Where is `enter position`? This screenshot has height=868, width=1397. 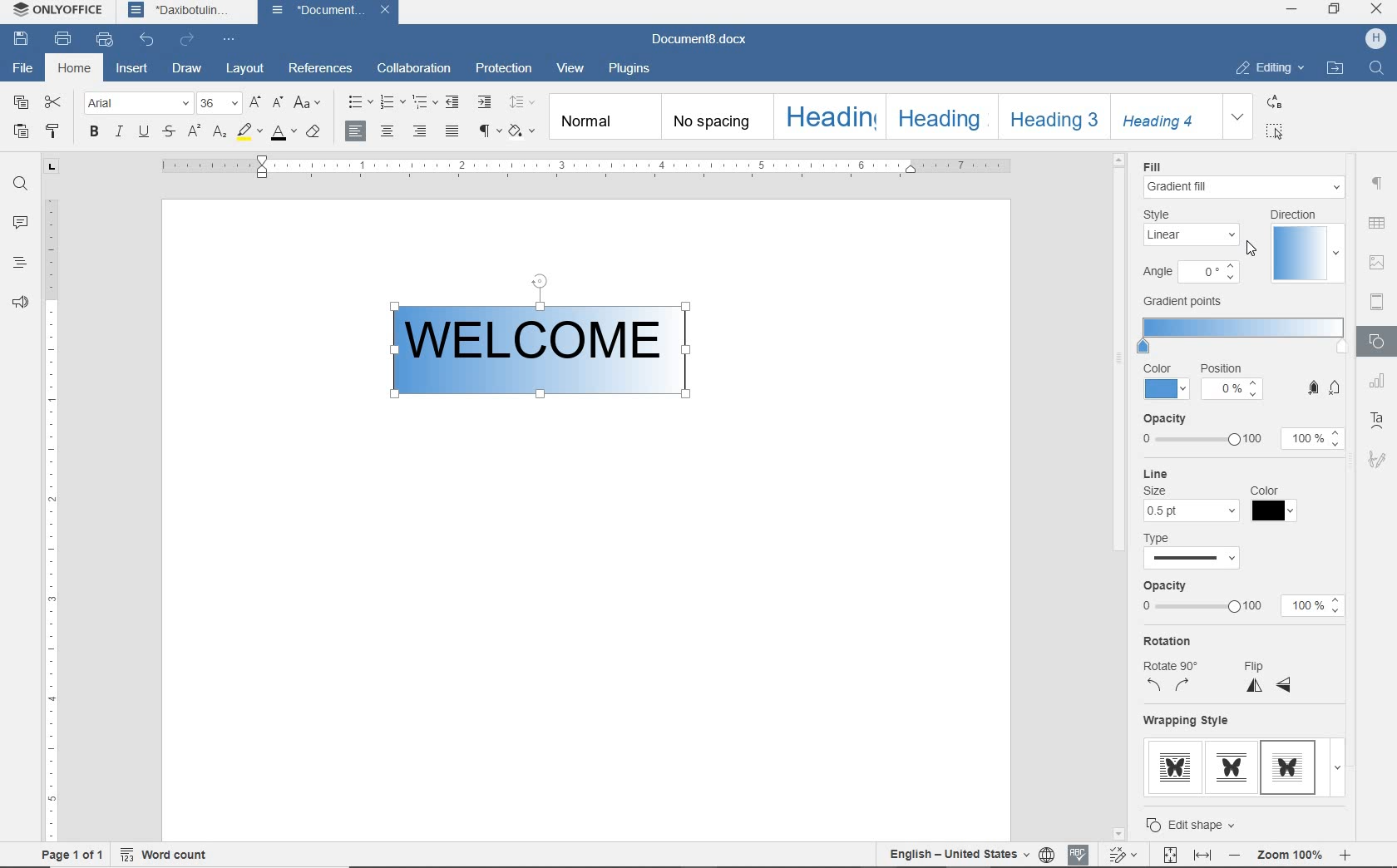
enter position is located at coordinates (1231, 390).